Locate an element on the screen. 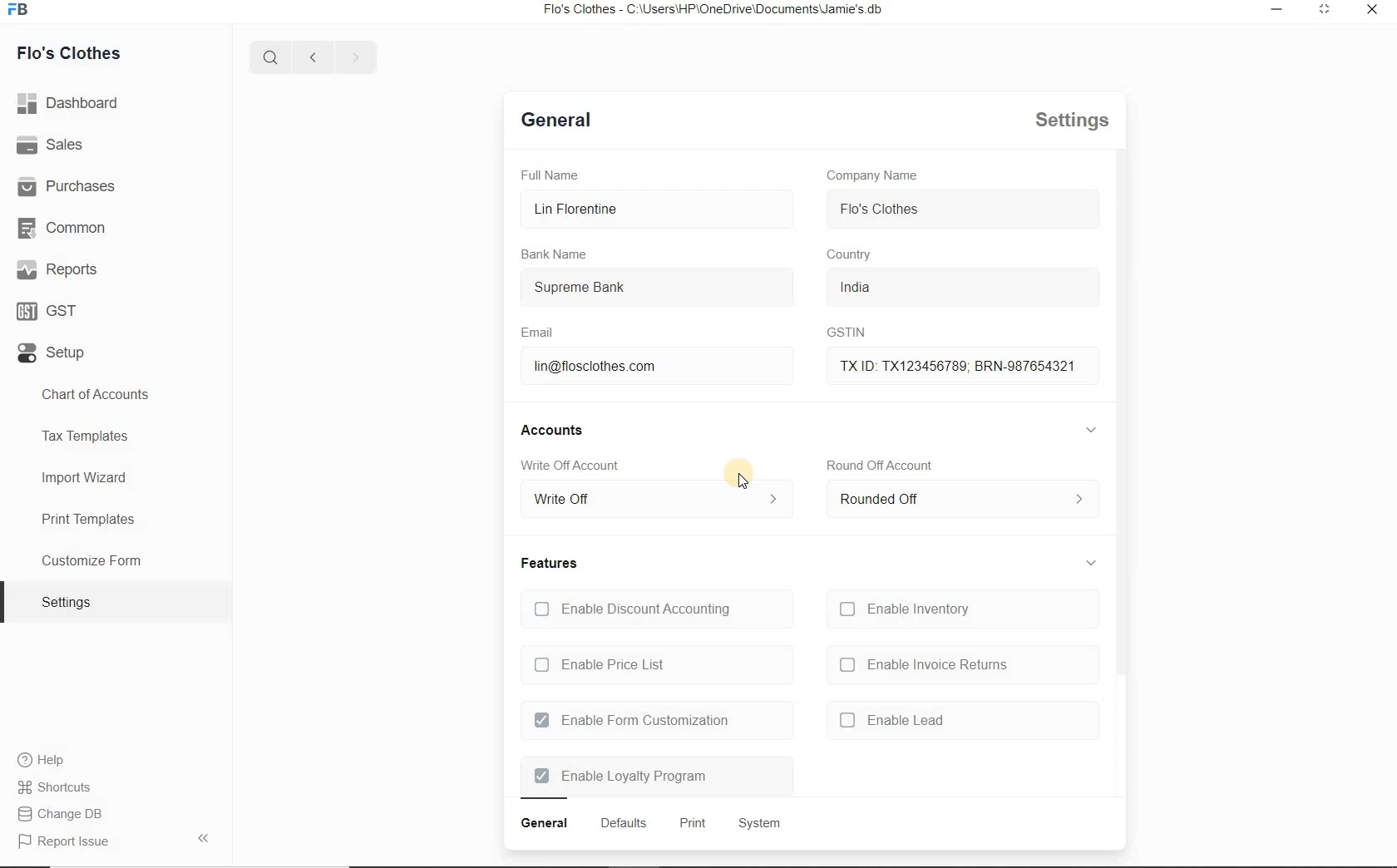  Close is located at coordinates (1372, 8).